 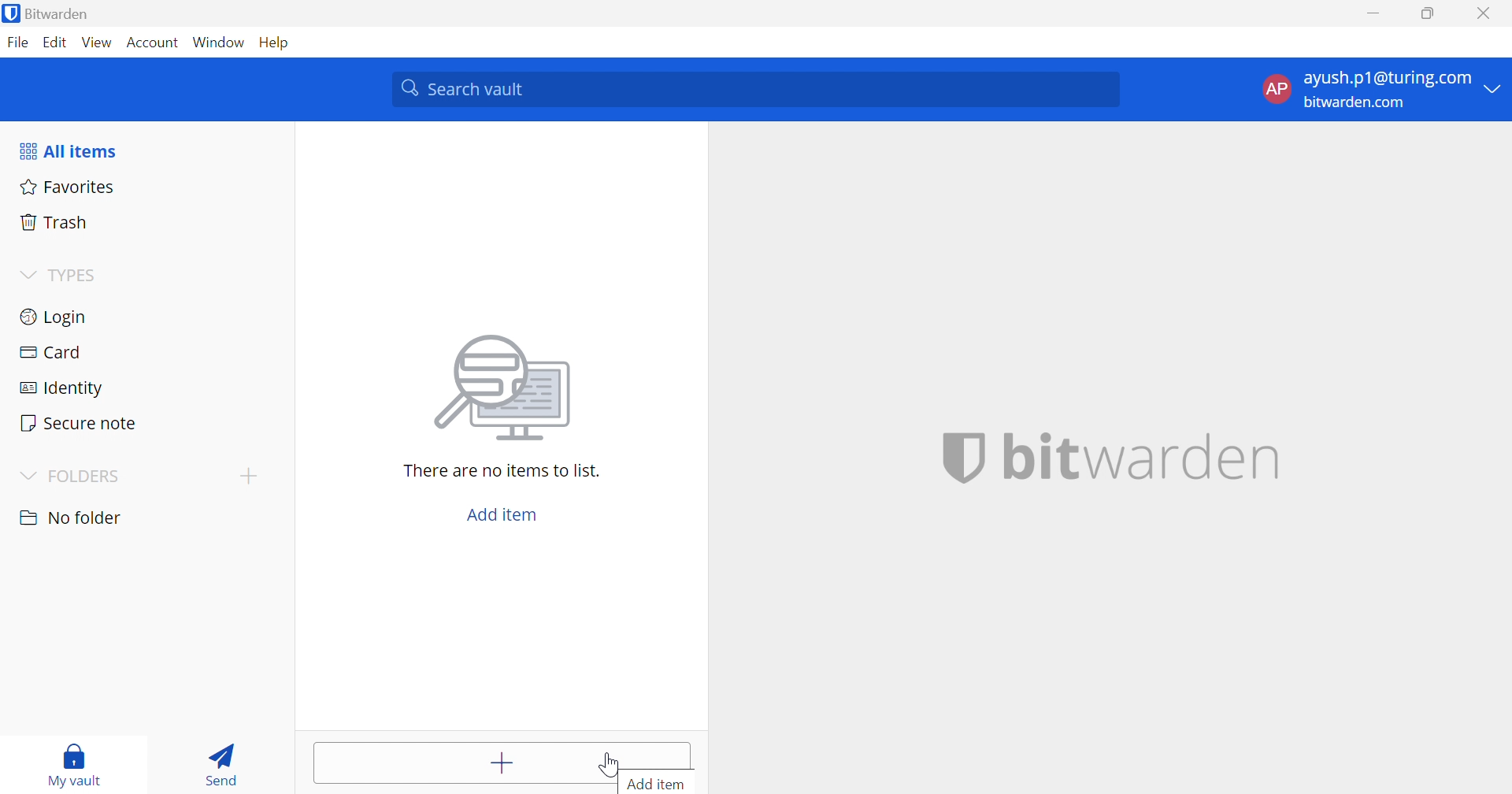 What do you see at coordinates (502, 473) in the screenshot?
I see `There are no items to list.` at bounding box center [502, 473].